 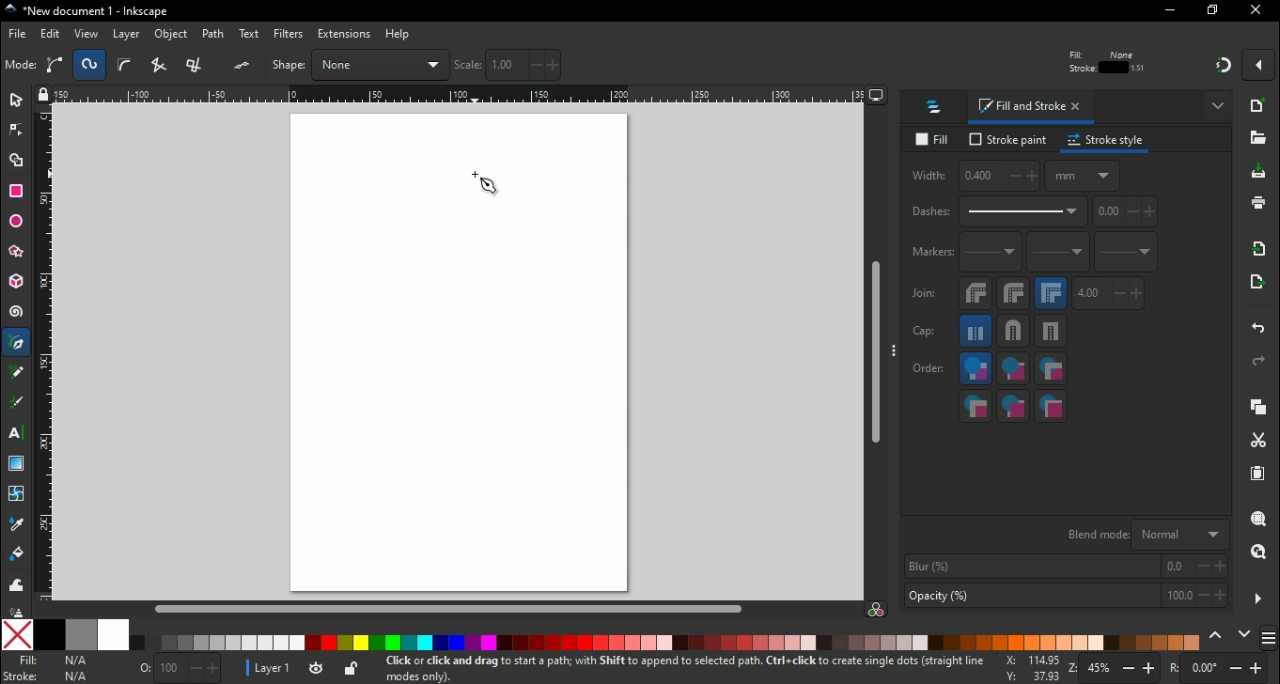 What do you see at coordinates (84, 12) in the screenshot?
I see `icon and filename` at bounding box center [84, 12].